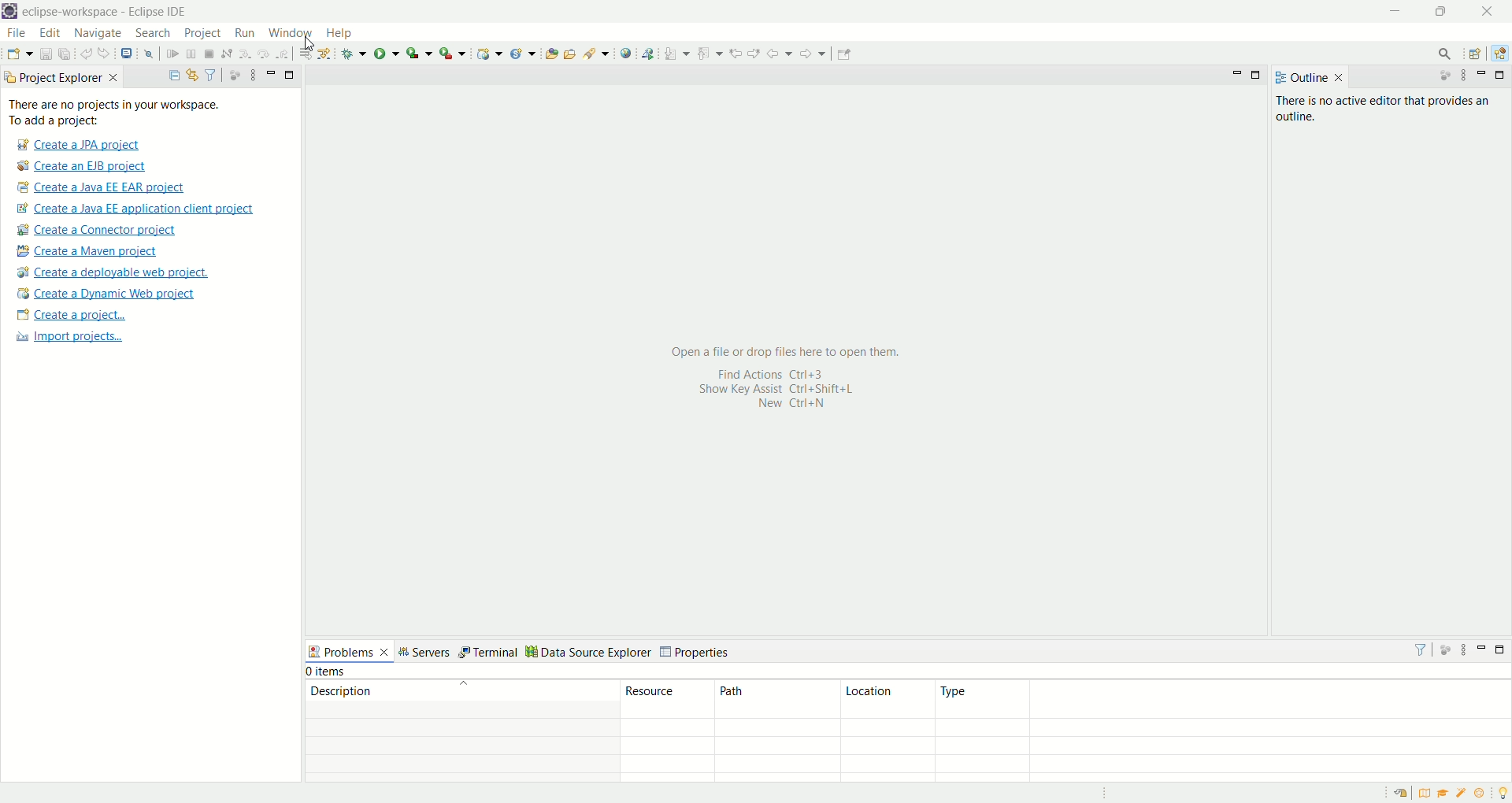  Describe the element at coordinates (232, 75) in the screenshot. I see `focus on active tasks` at that location.